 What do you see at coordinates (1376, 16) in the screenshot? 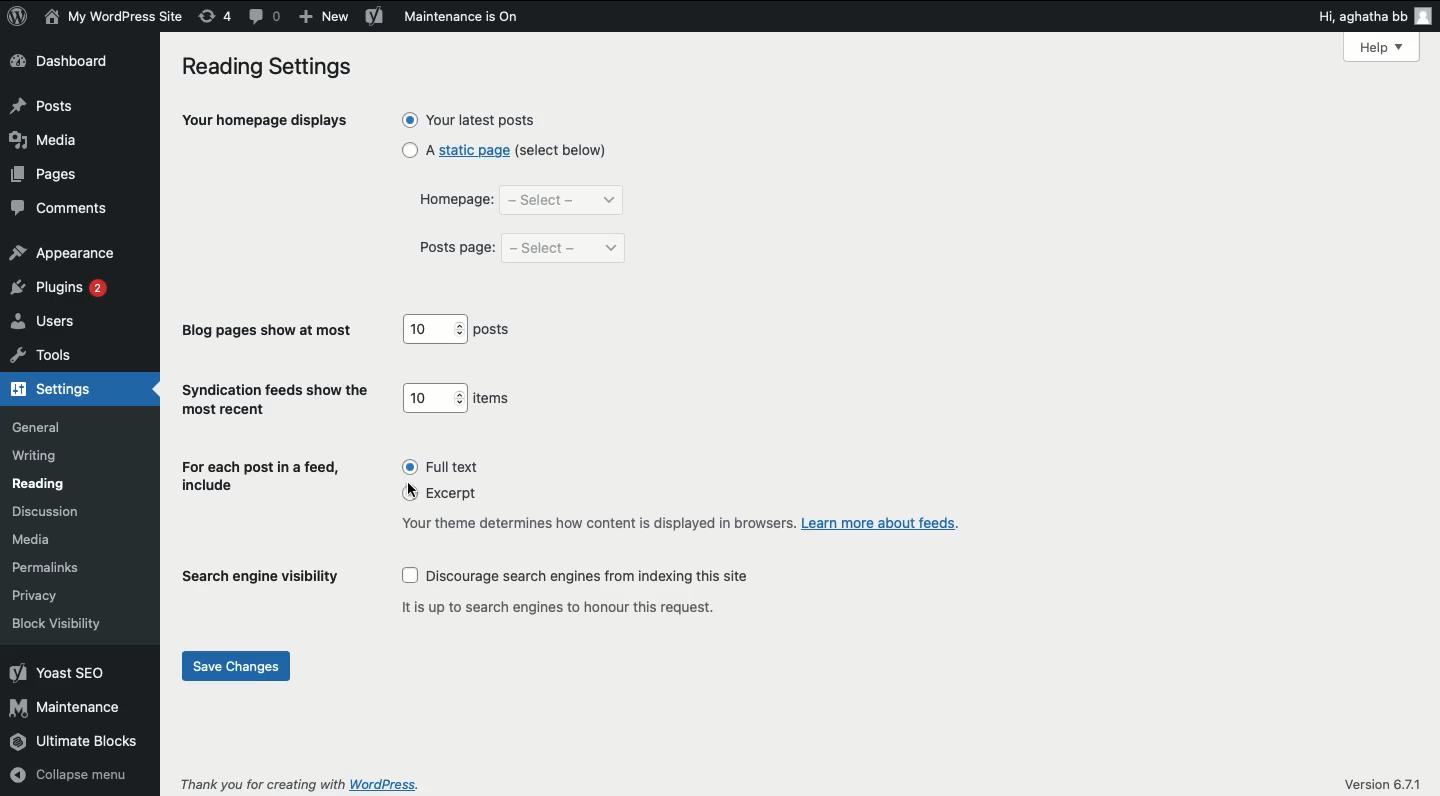
I see `hi aghatha bb` at bounding box center [1376, 16].